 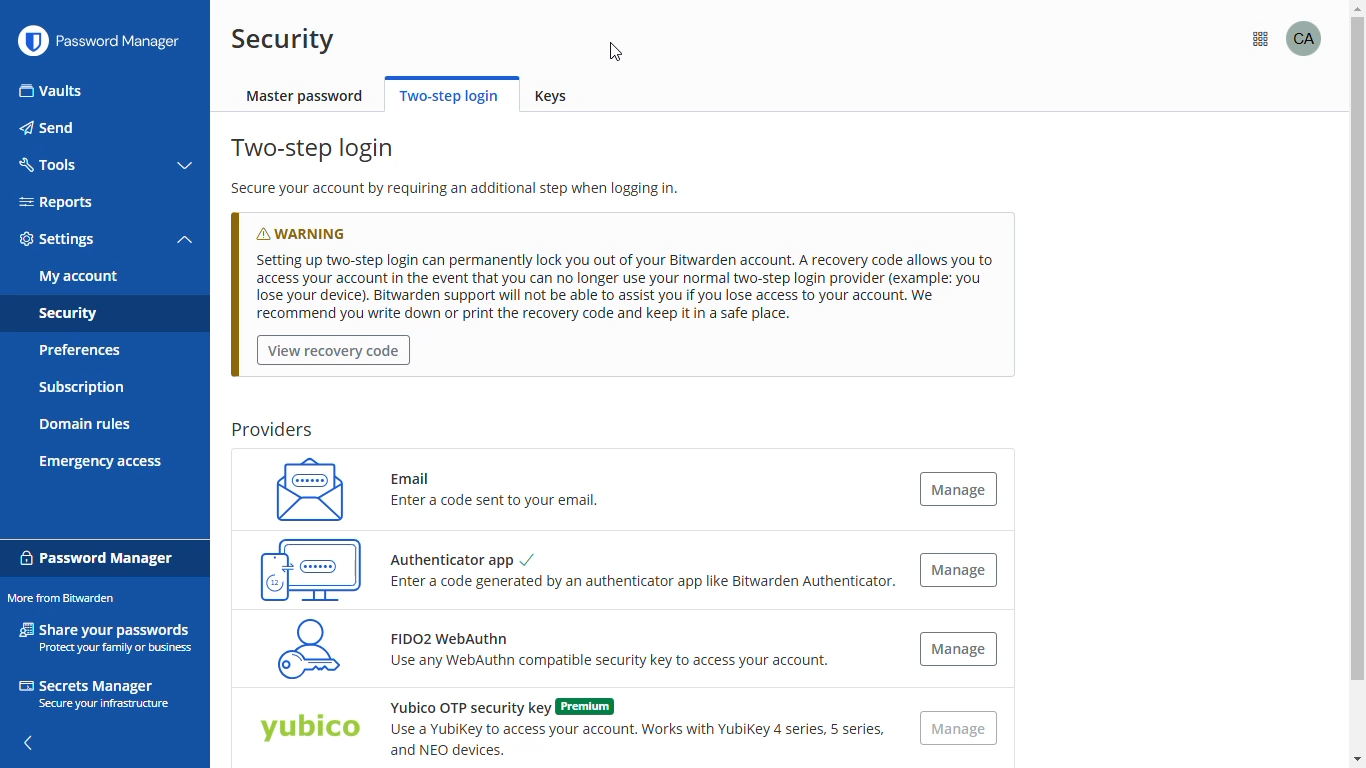 What do you see at coordinates (93, 693) in the screenshot?
I see `secrets manager` at bounding box center [93, 693].